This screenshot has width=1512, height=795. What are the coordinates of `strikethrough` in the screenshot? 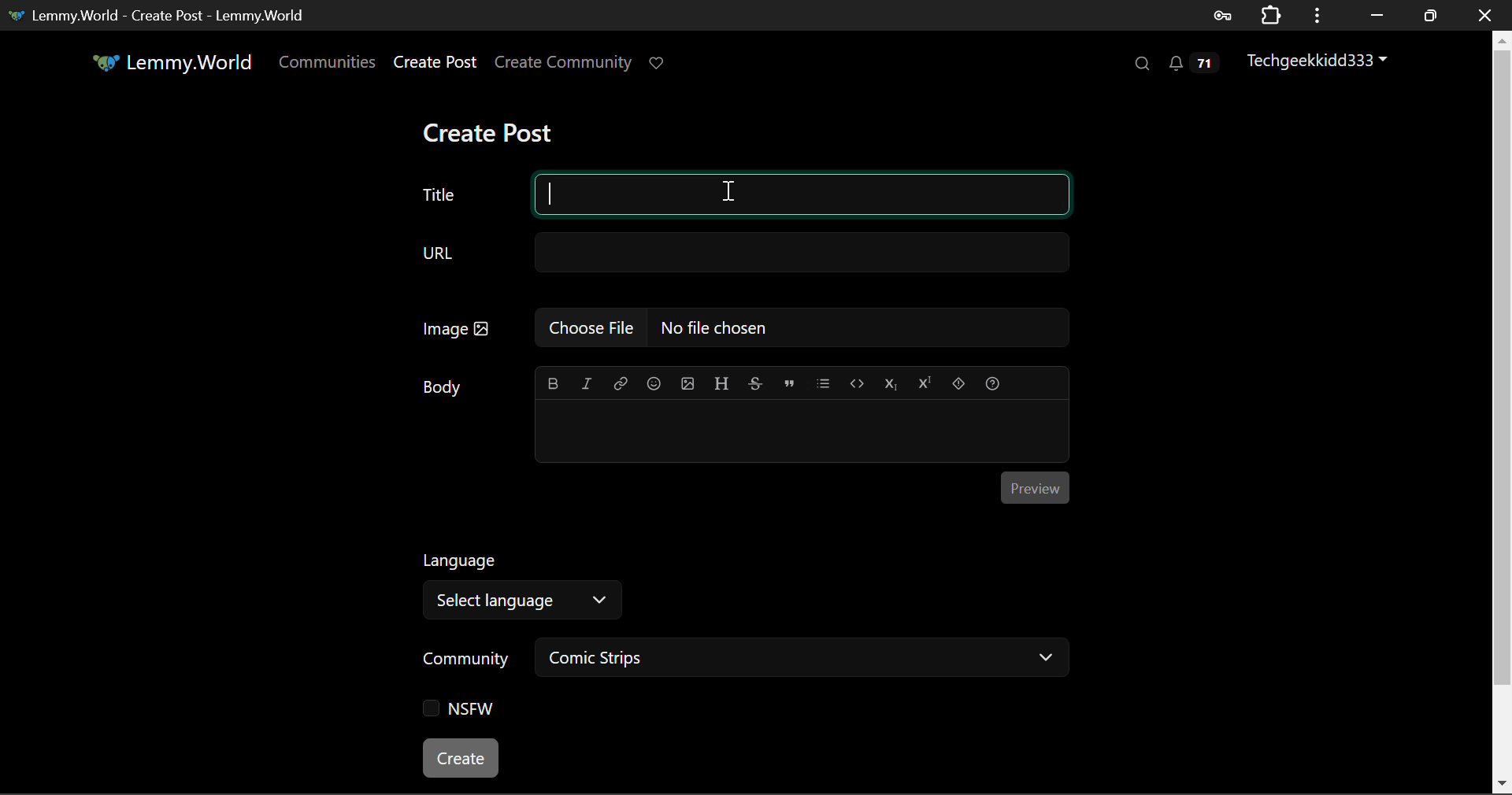 It's located at (756, 380).